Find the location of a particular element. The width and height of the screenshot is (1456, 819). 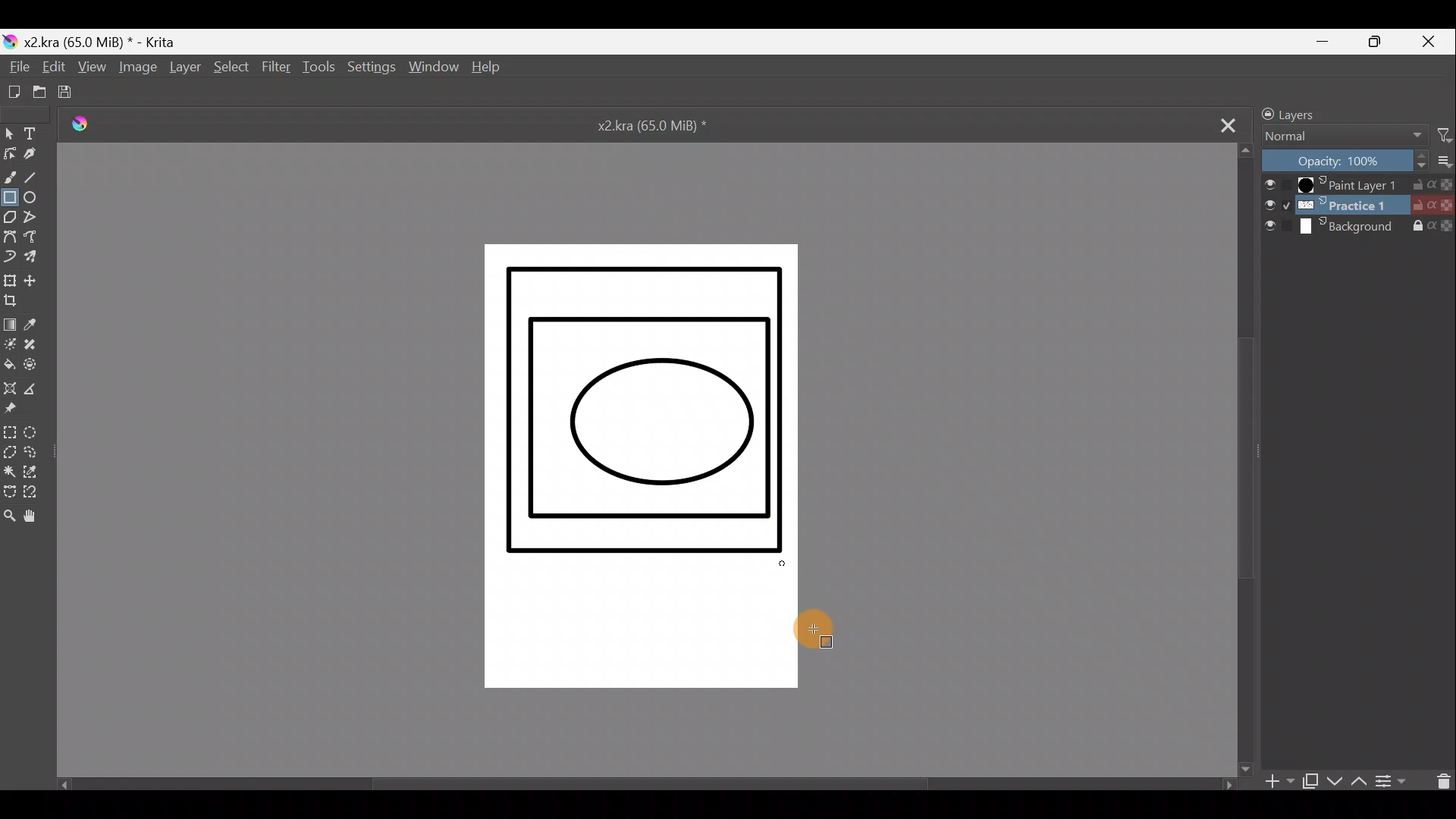

Multibrush tool is located at coordinates (37, 257).